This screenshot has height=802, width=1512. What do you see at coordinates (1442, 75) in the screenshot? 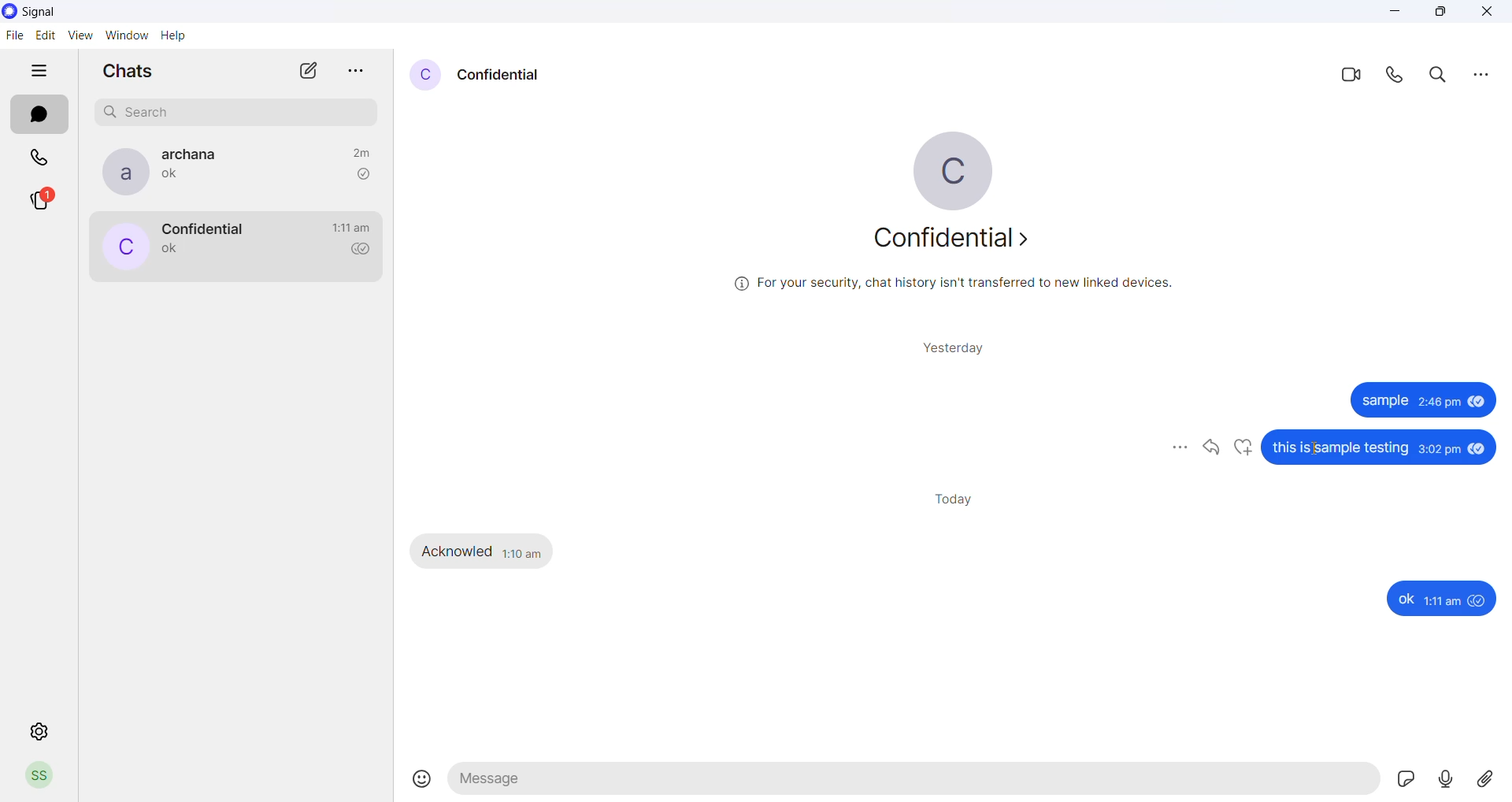
I see `search in chats` at bounding box center [1442, 75].